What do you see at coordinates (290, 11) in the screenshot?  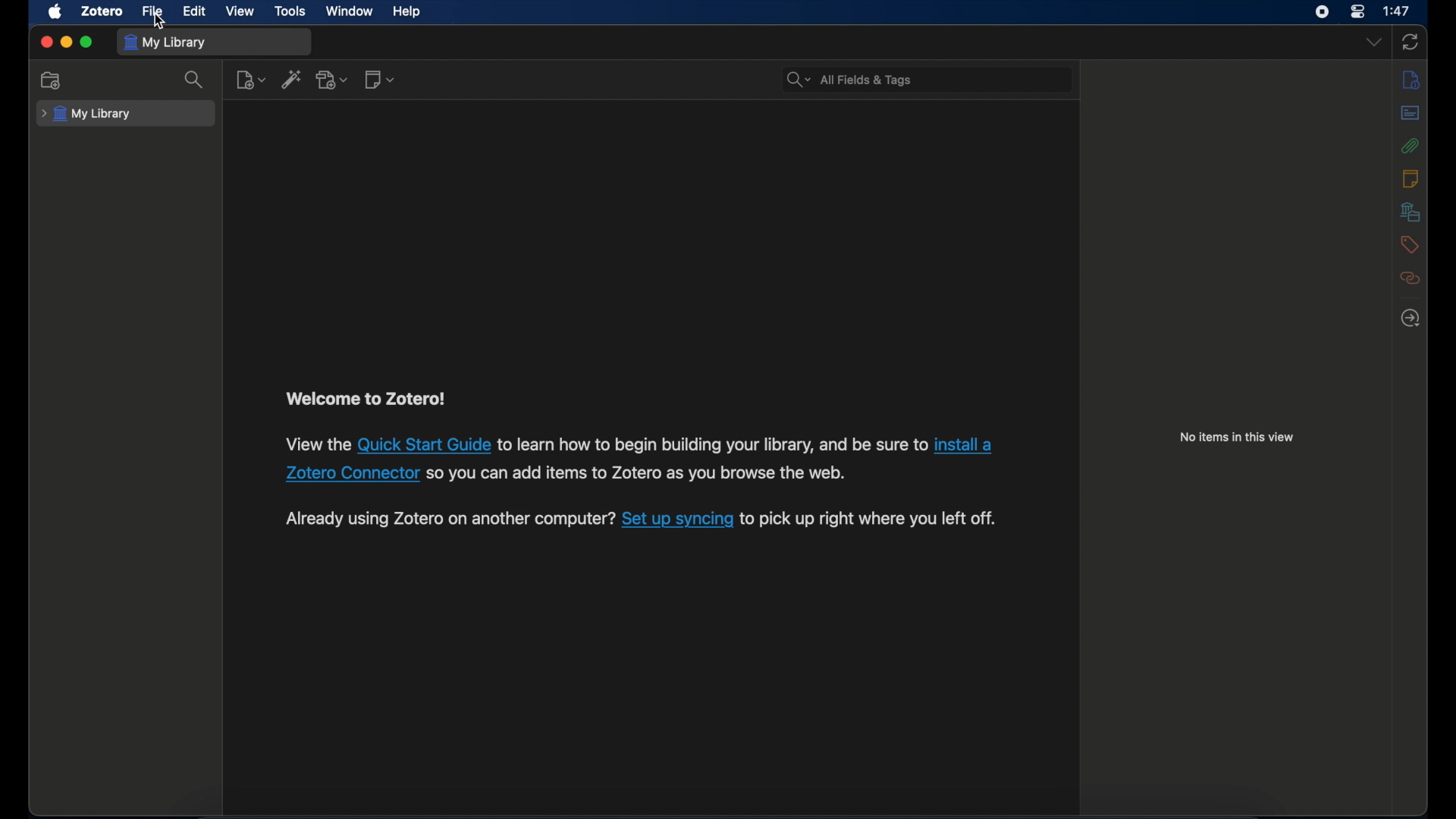 I see `tools` at bounding box center [290, 11].